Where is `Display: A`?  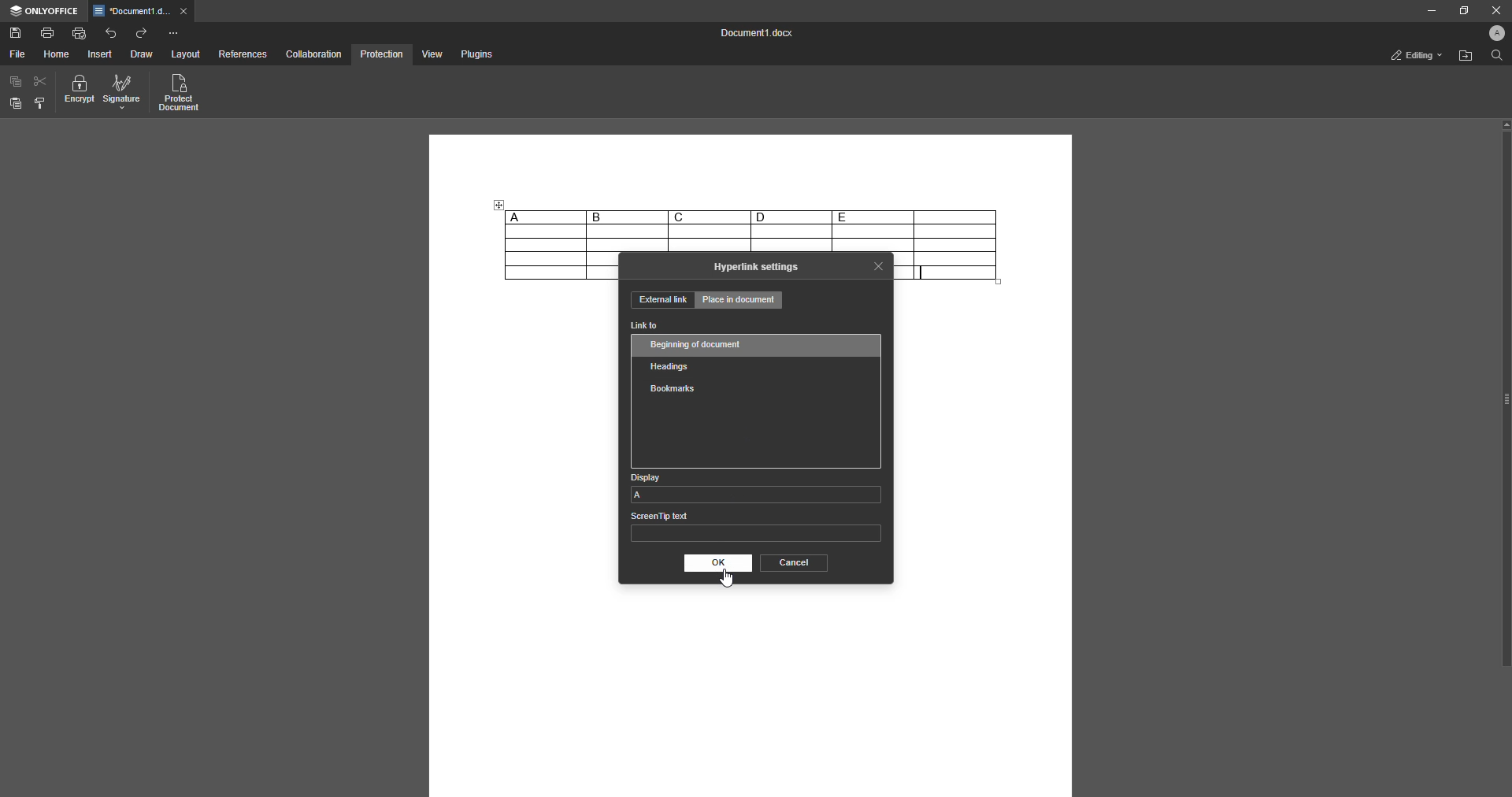
Display: A is located at coordinates (755, 487).